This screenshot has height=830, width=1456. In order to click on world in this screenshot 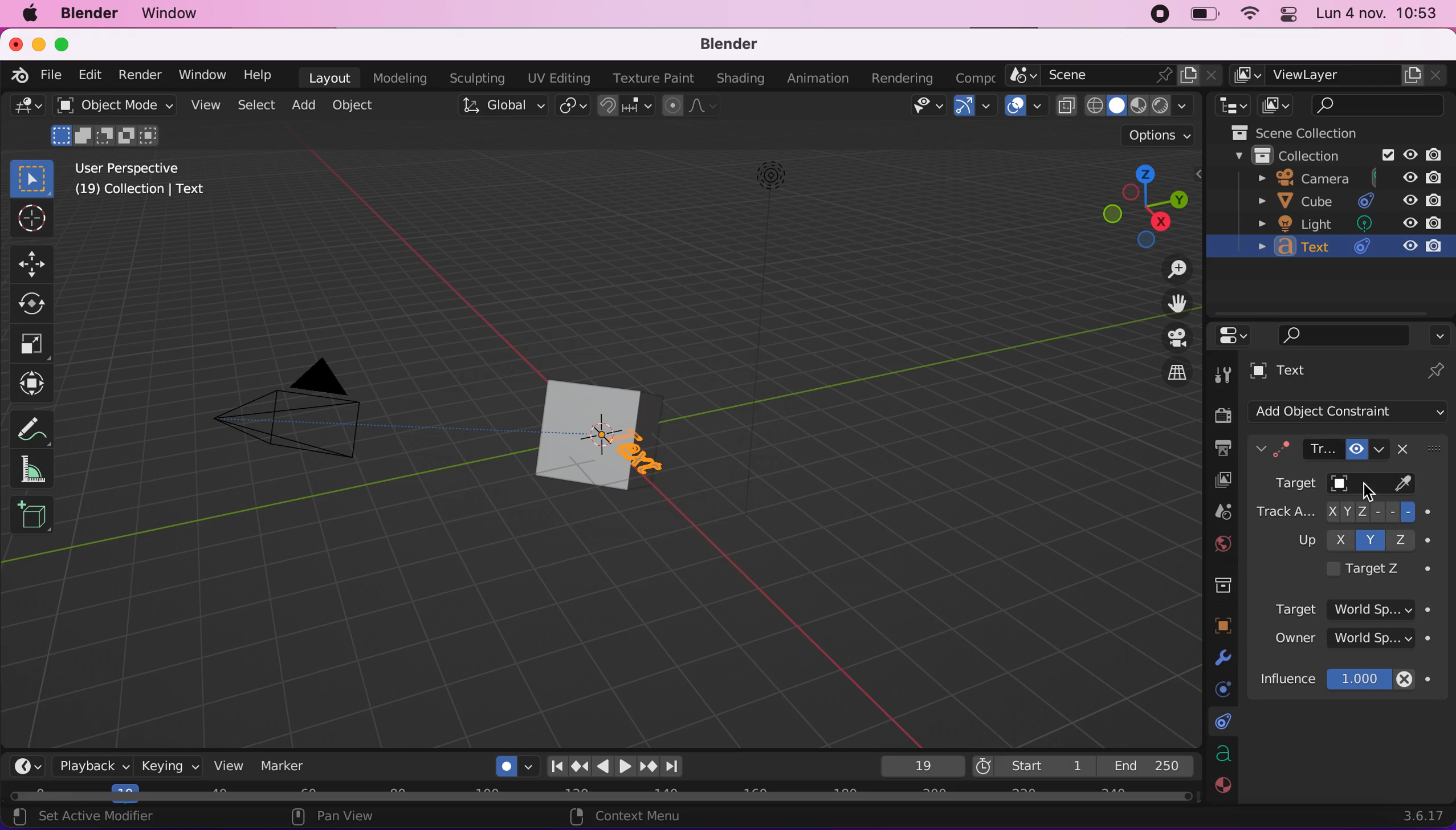, I will do `click(1223, 543)`.